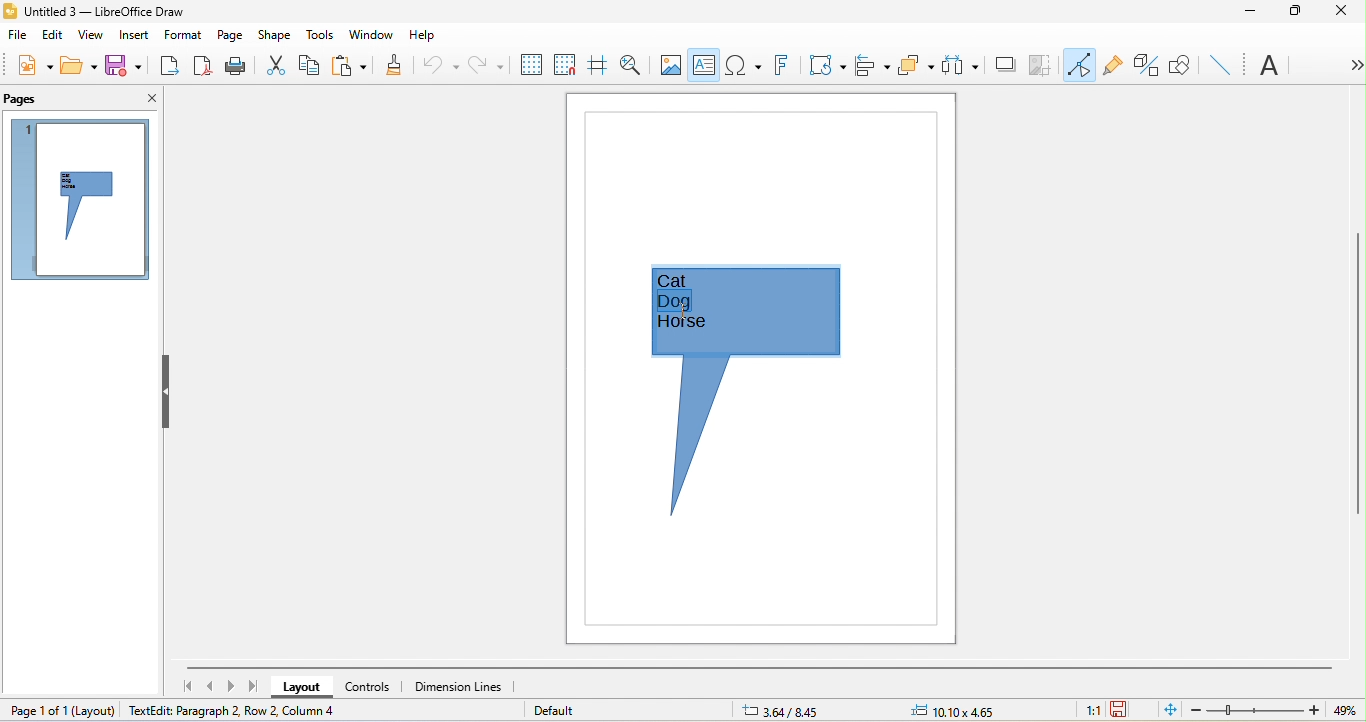 The image size is (1366, 722). What do you see at coordinates (682, 299) in the screenshot?
I see `select text` at bounding box center [682, 299].